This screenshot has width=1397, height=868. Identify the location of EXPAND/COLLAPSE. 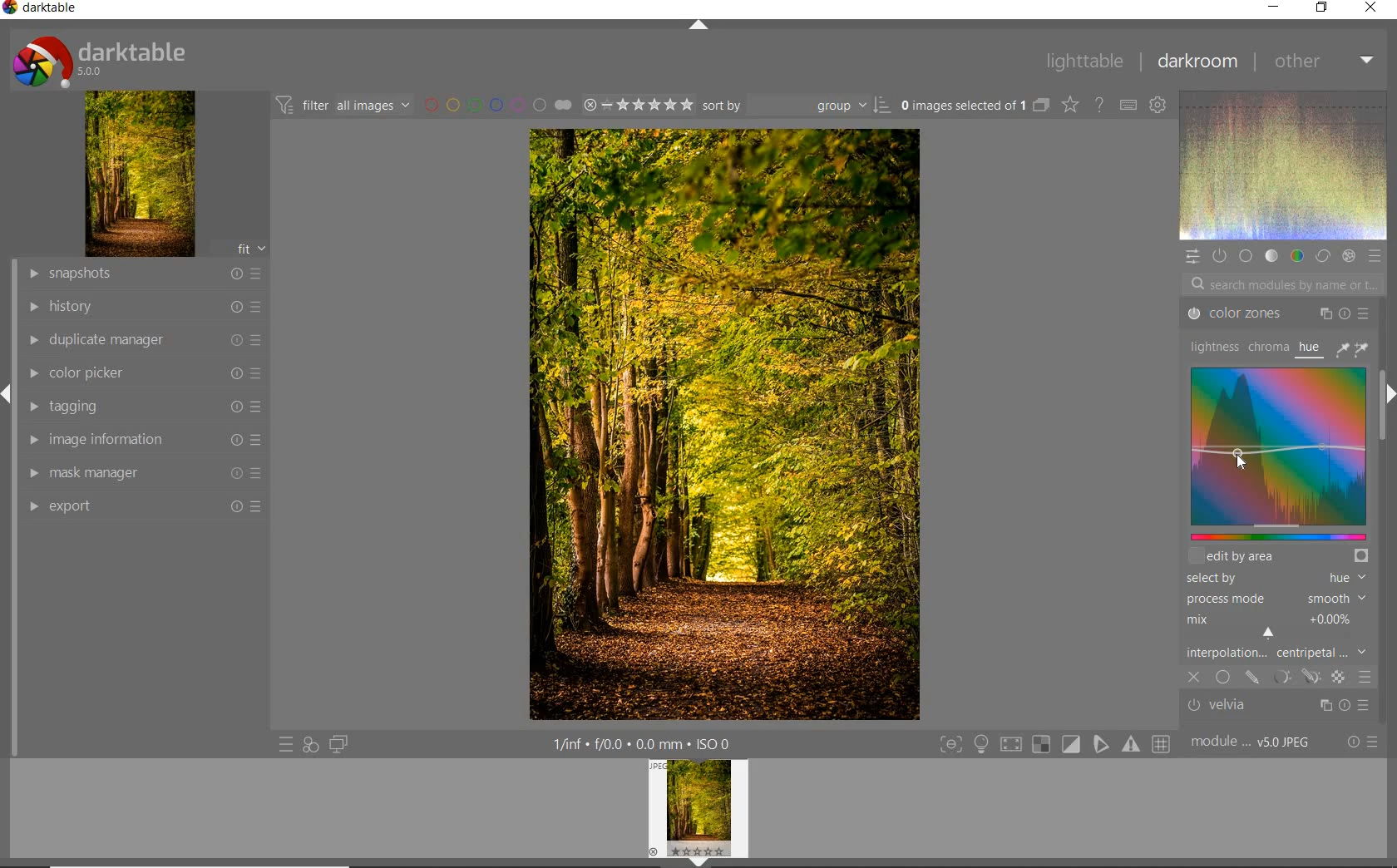
(697, 24).